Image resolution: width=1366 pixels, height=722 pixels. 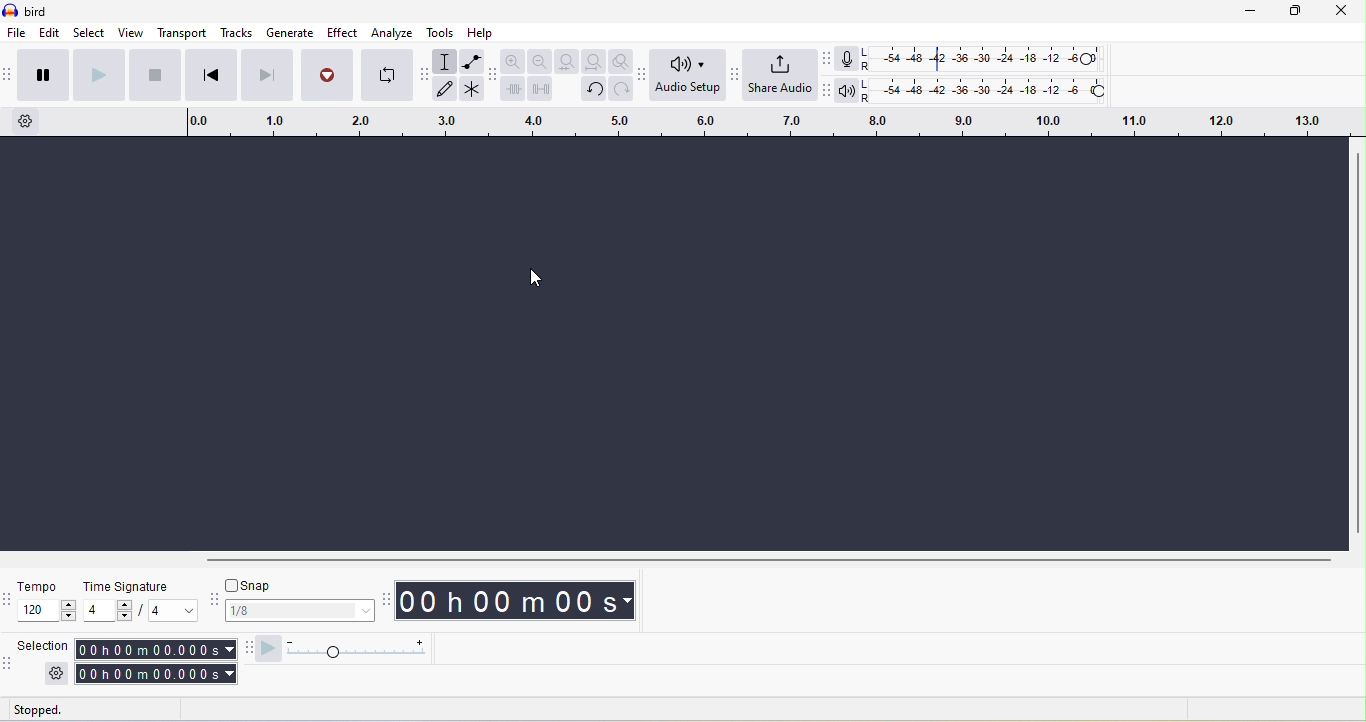 What do you see at coordinates (620, 61) in the screenshot?
I see `zoom toggle` at bounding box center [620, 61].